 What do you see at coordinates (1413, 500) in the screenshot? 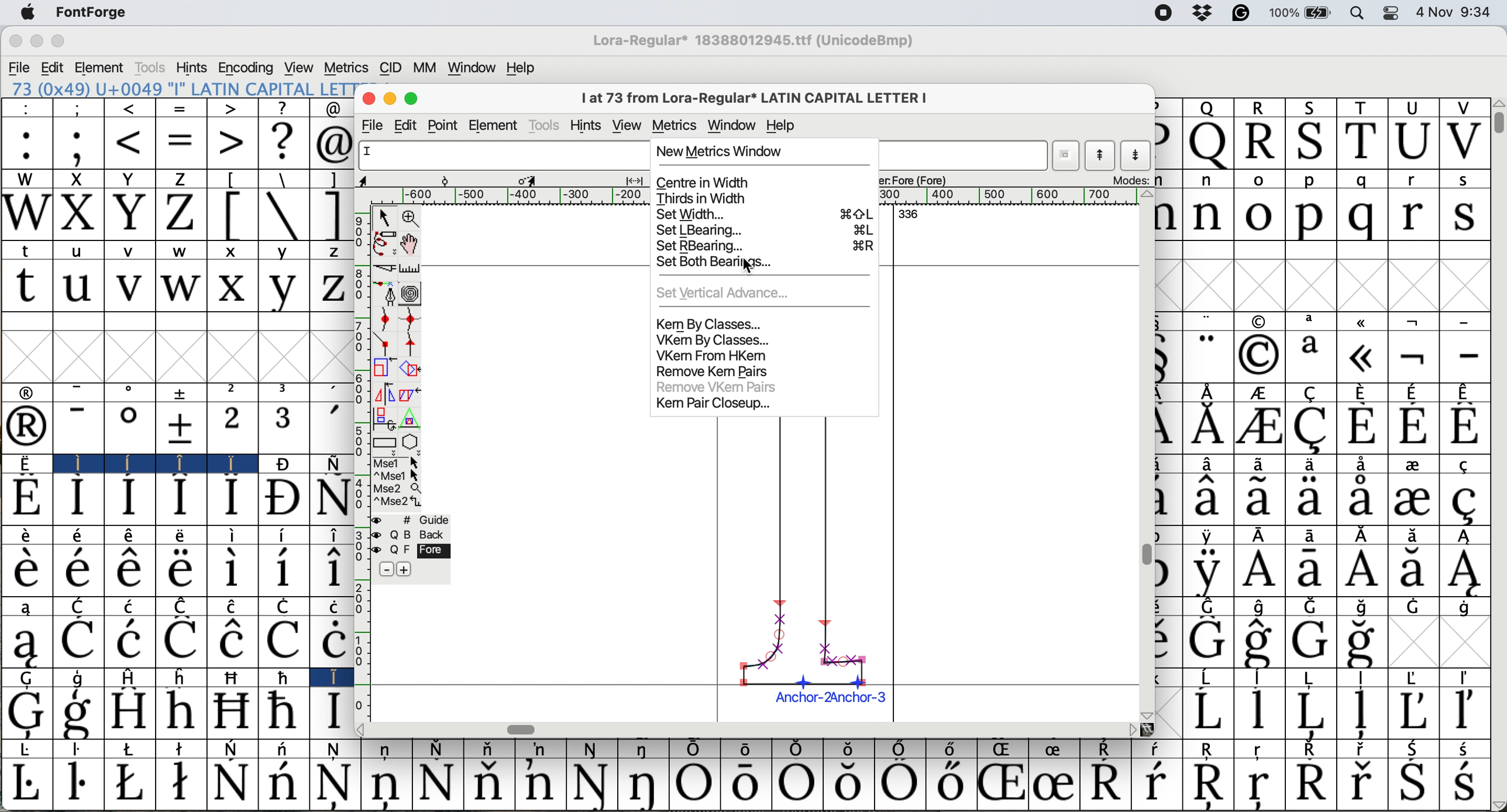
I see `Symbol` at bounding box center [1413, 500].